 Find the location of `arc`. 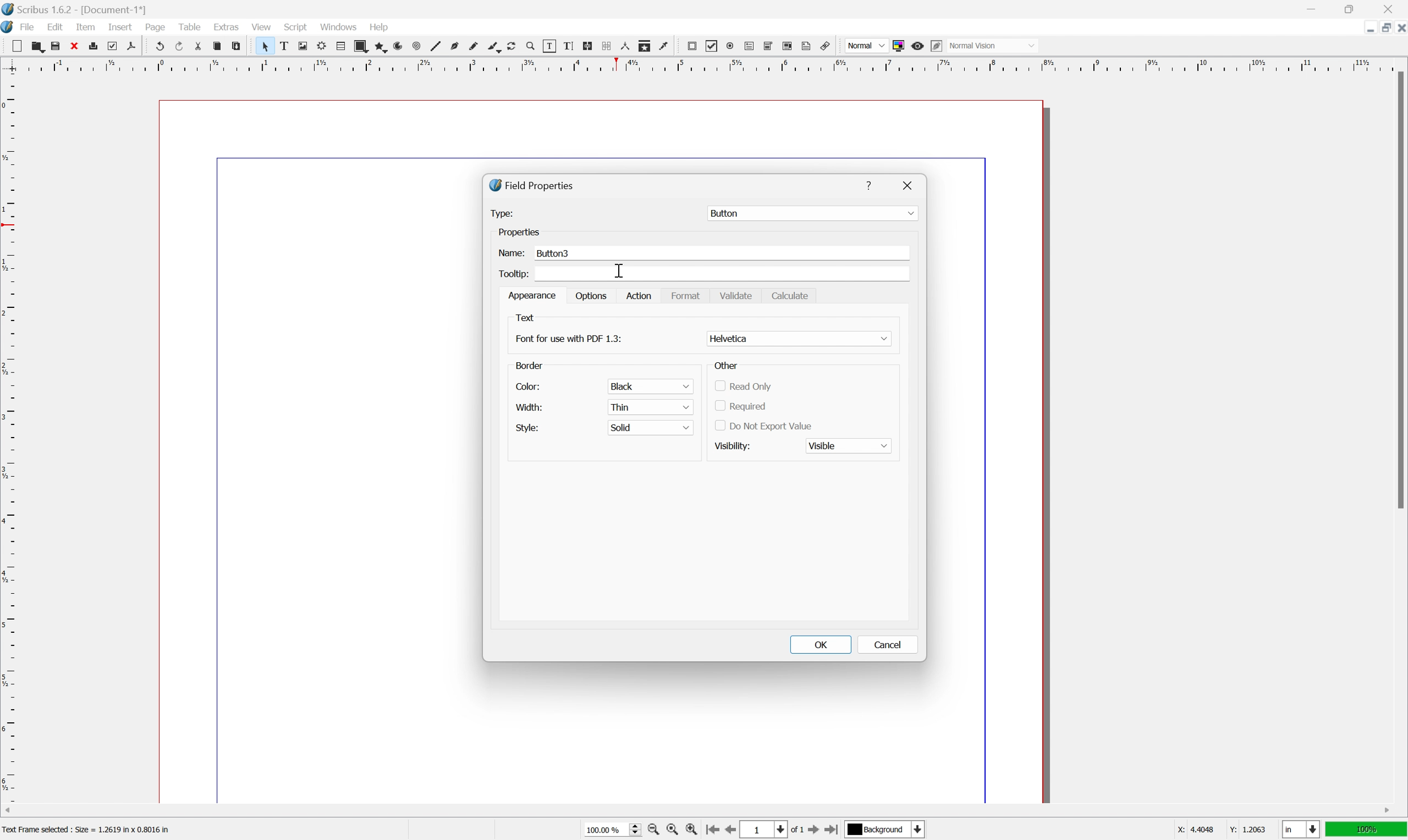

arc is located at coordinates (397, 47).